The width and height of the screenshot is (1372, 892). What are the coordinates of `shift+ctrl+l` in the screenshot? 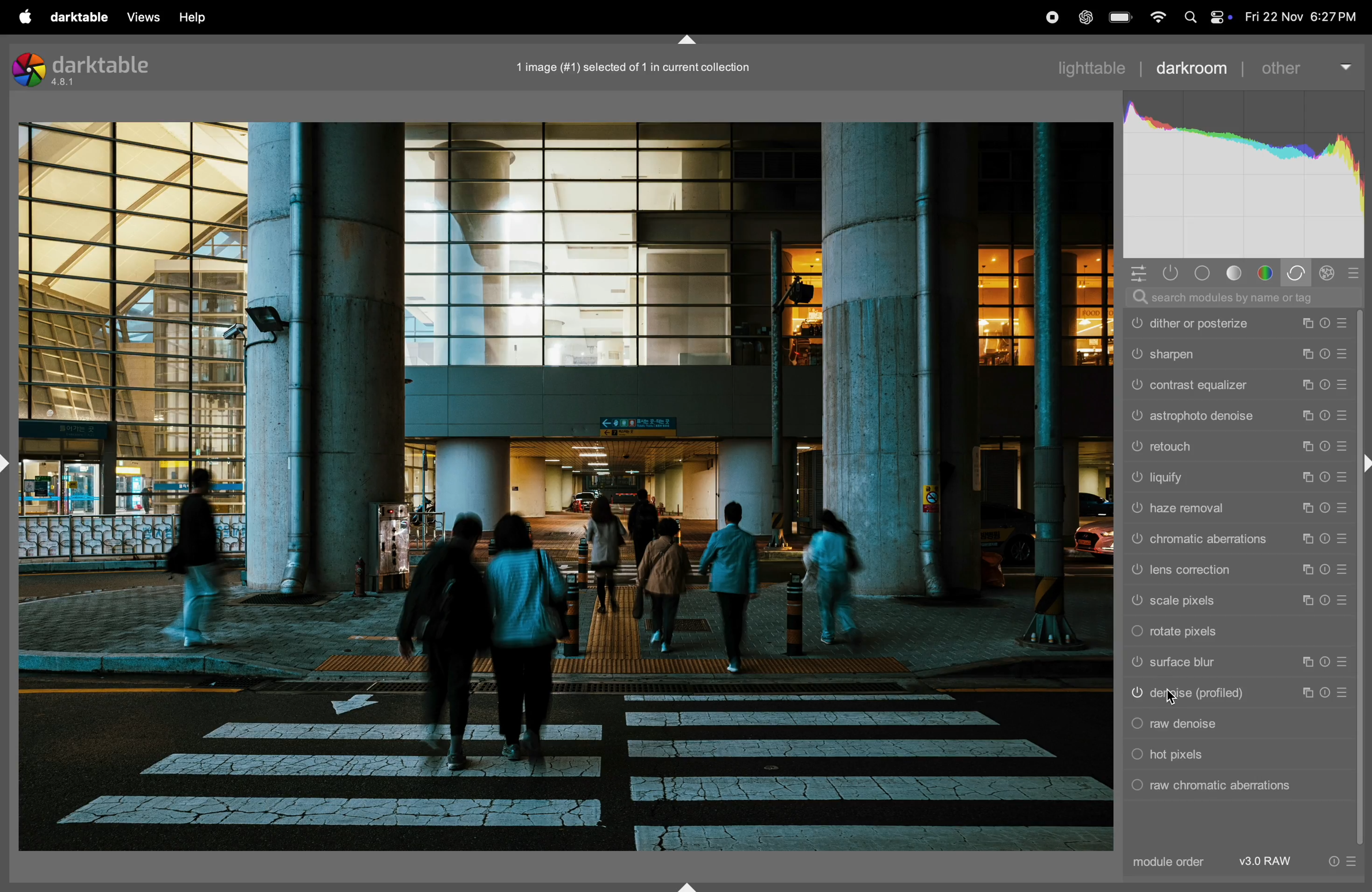 It's located at (9, 463).